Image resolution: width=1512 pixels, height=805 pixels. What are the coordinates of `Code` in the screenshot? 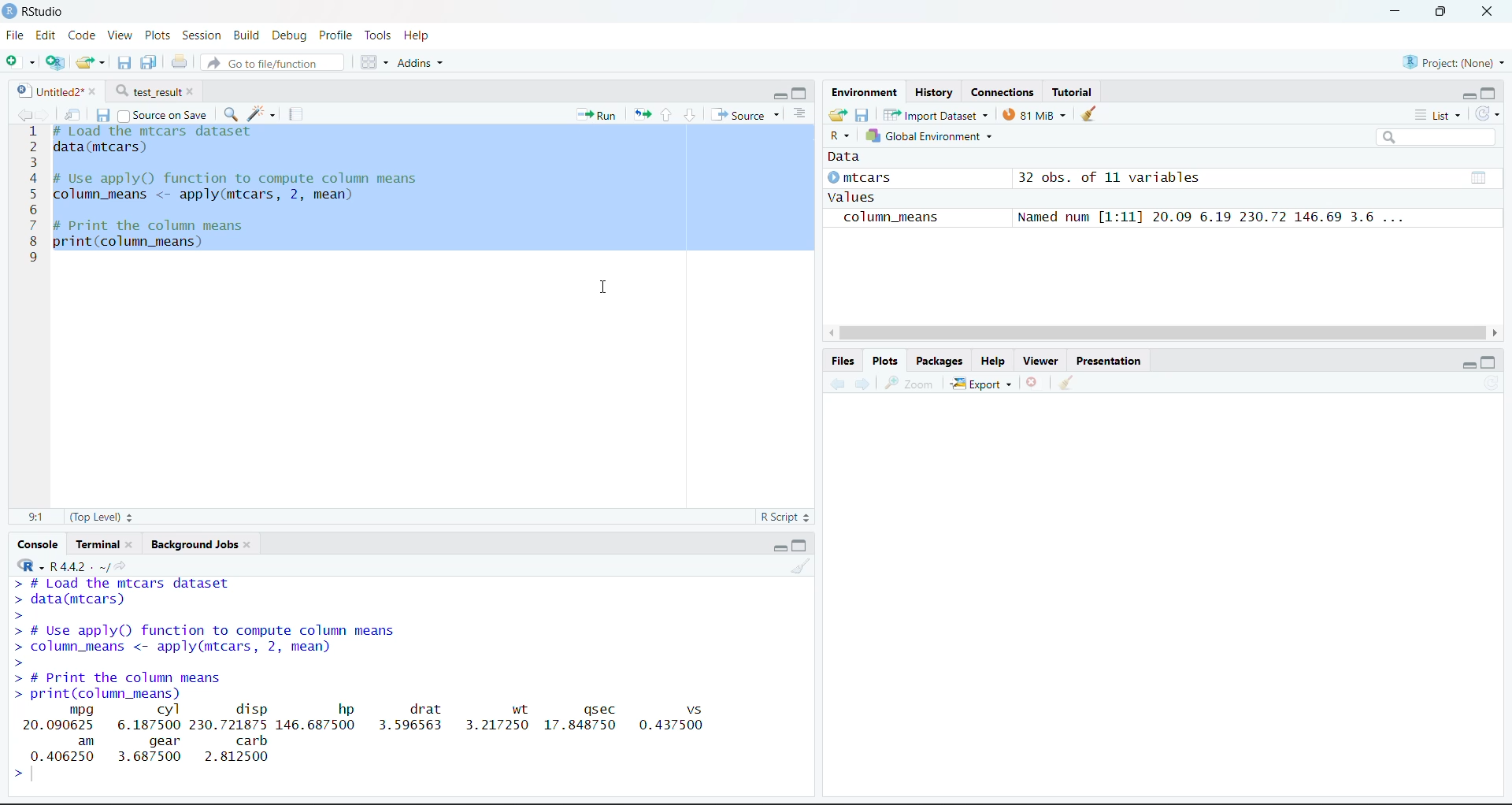 It's located at (80, 35).